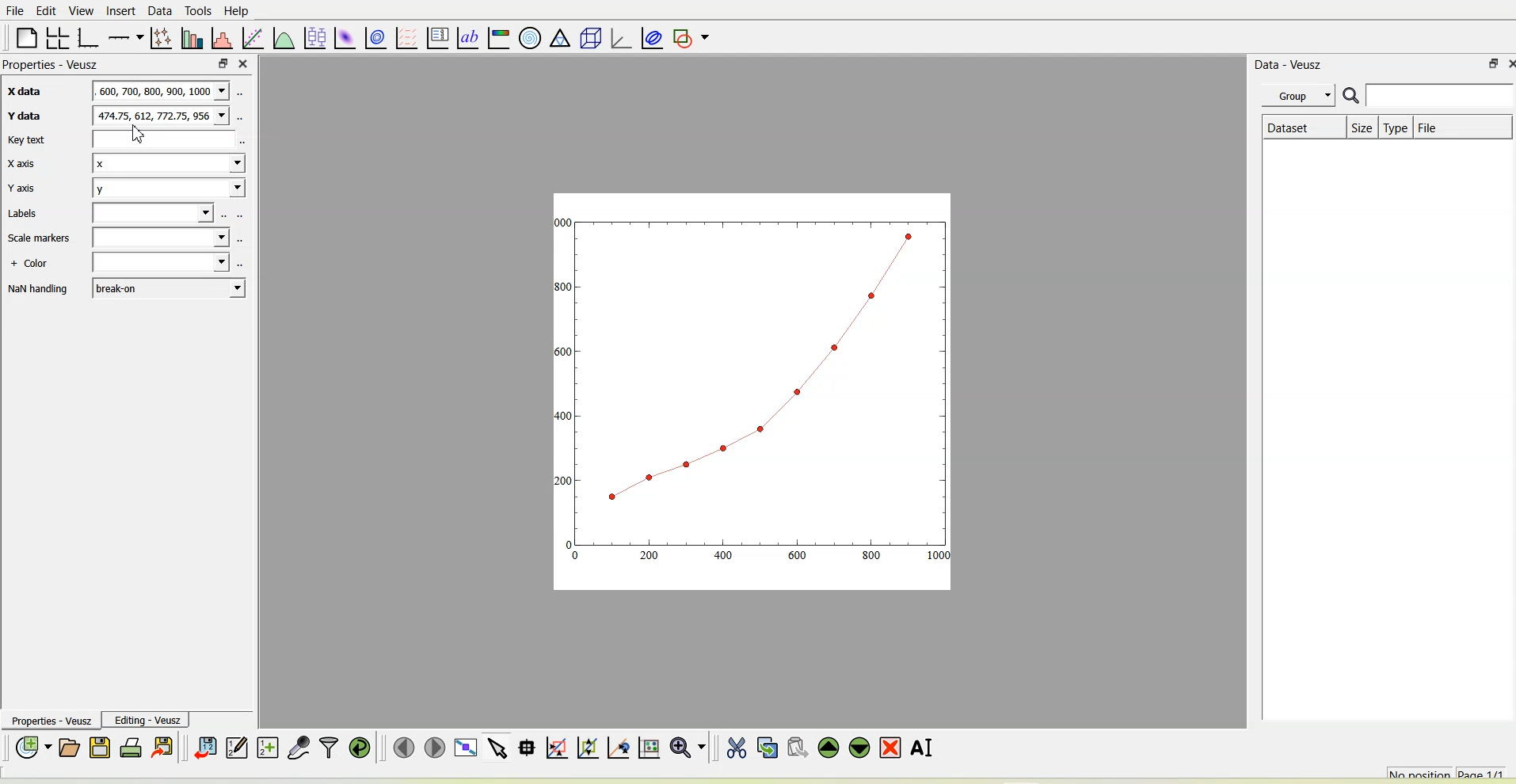 This screenshot has width=1516, height=784. What do you see at coordinates (466, 748) in the screenshot?
I see `View plot full screen` at bounding box center [466, 748].